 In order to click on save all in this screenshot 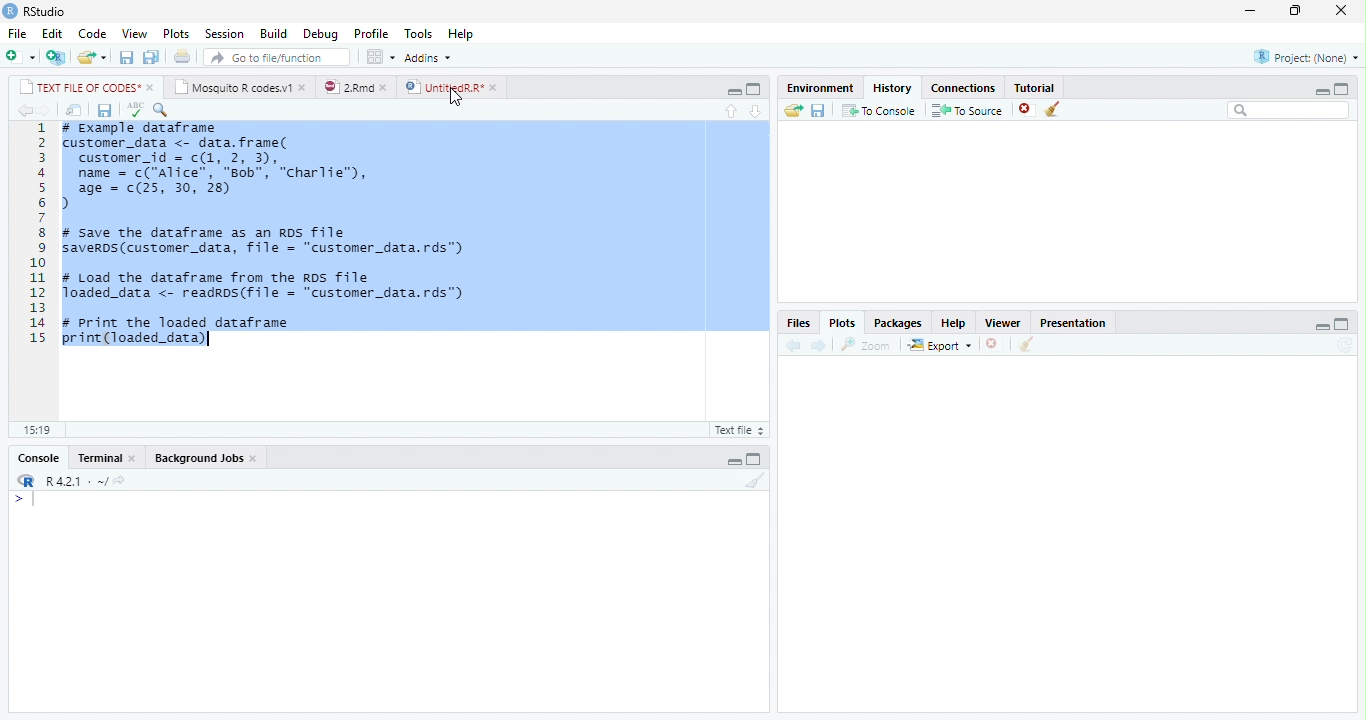, I will do `click(151, 58)`.